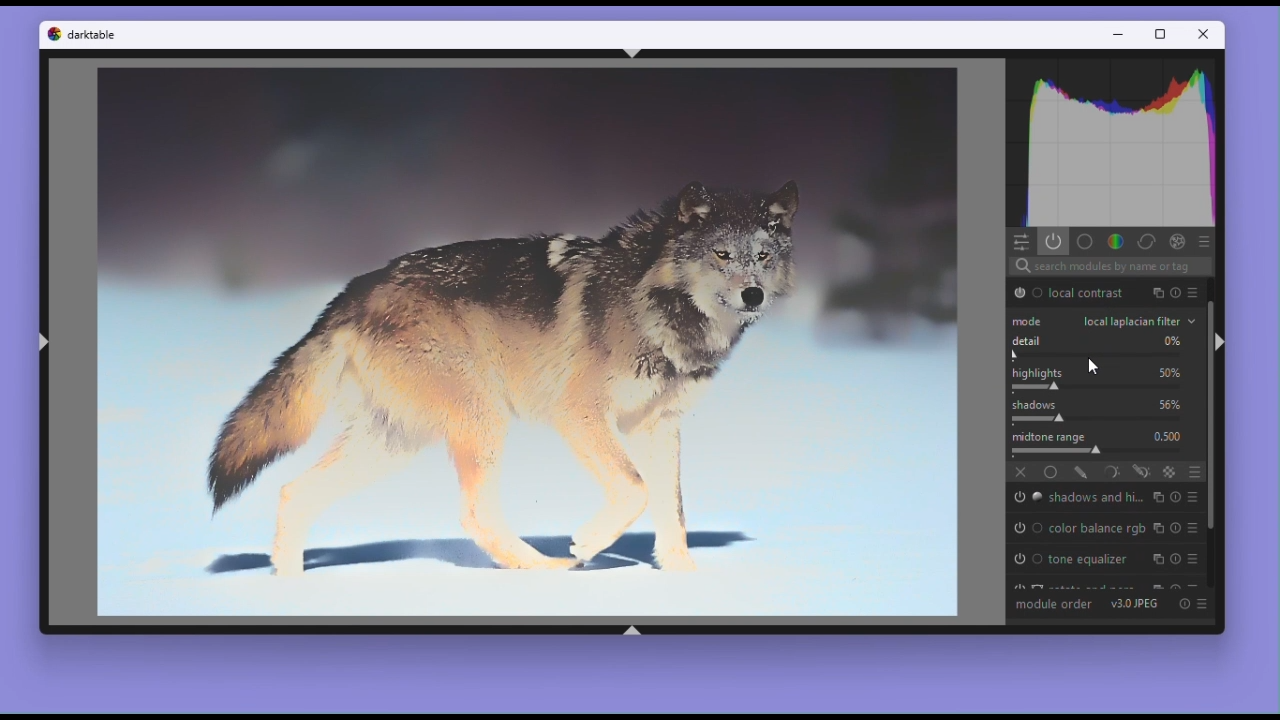 The width and height of the screenshot is (1280, 720). I want to click on Present, so click(1198, 560).